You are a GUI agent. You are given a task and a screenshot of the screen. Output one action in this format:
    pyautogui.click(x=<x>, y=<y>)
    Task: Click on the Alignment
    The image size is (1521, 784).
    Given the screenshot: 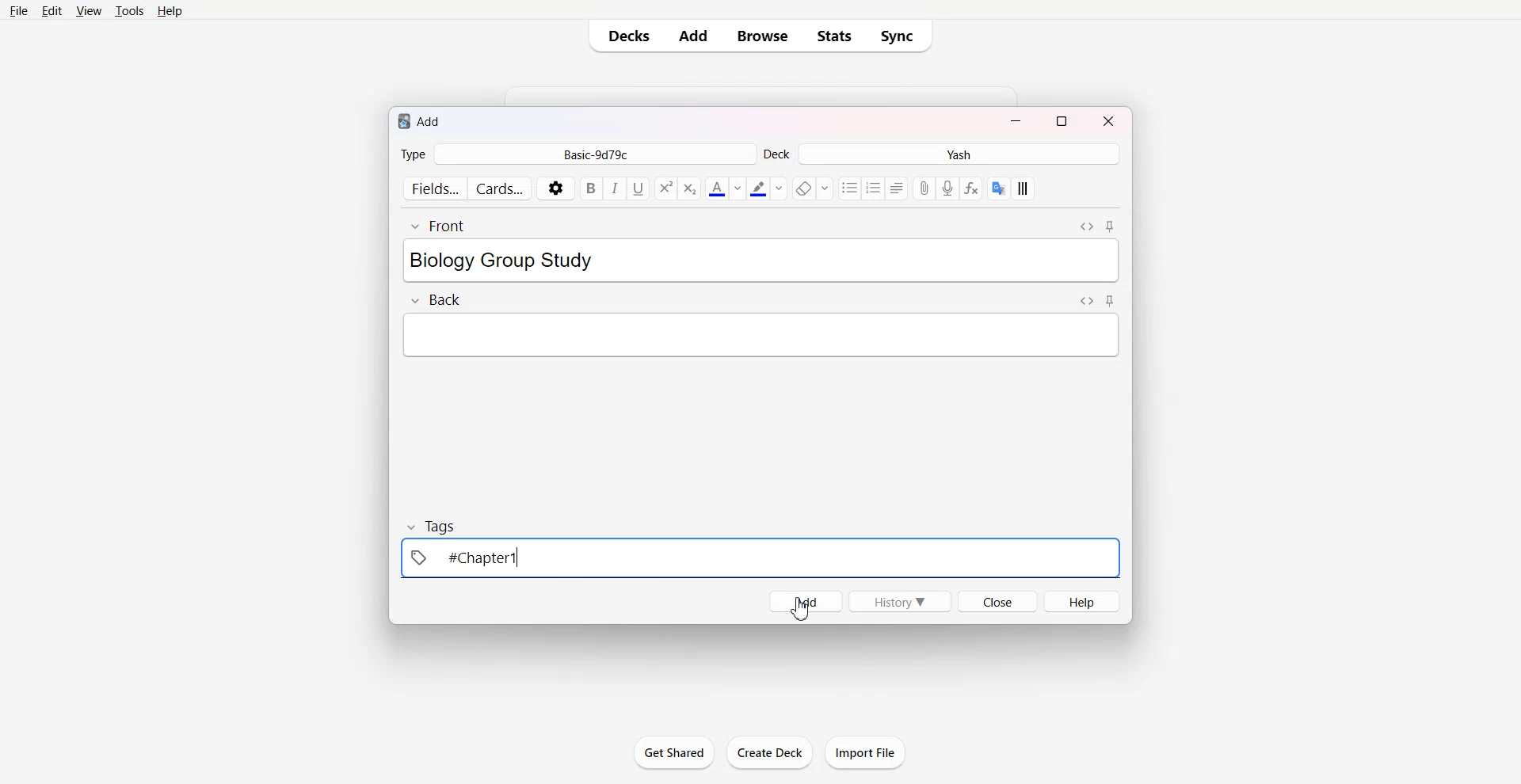 What is the action you would take?
    pyautogui.click(x=898, y=188)
    